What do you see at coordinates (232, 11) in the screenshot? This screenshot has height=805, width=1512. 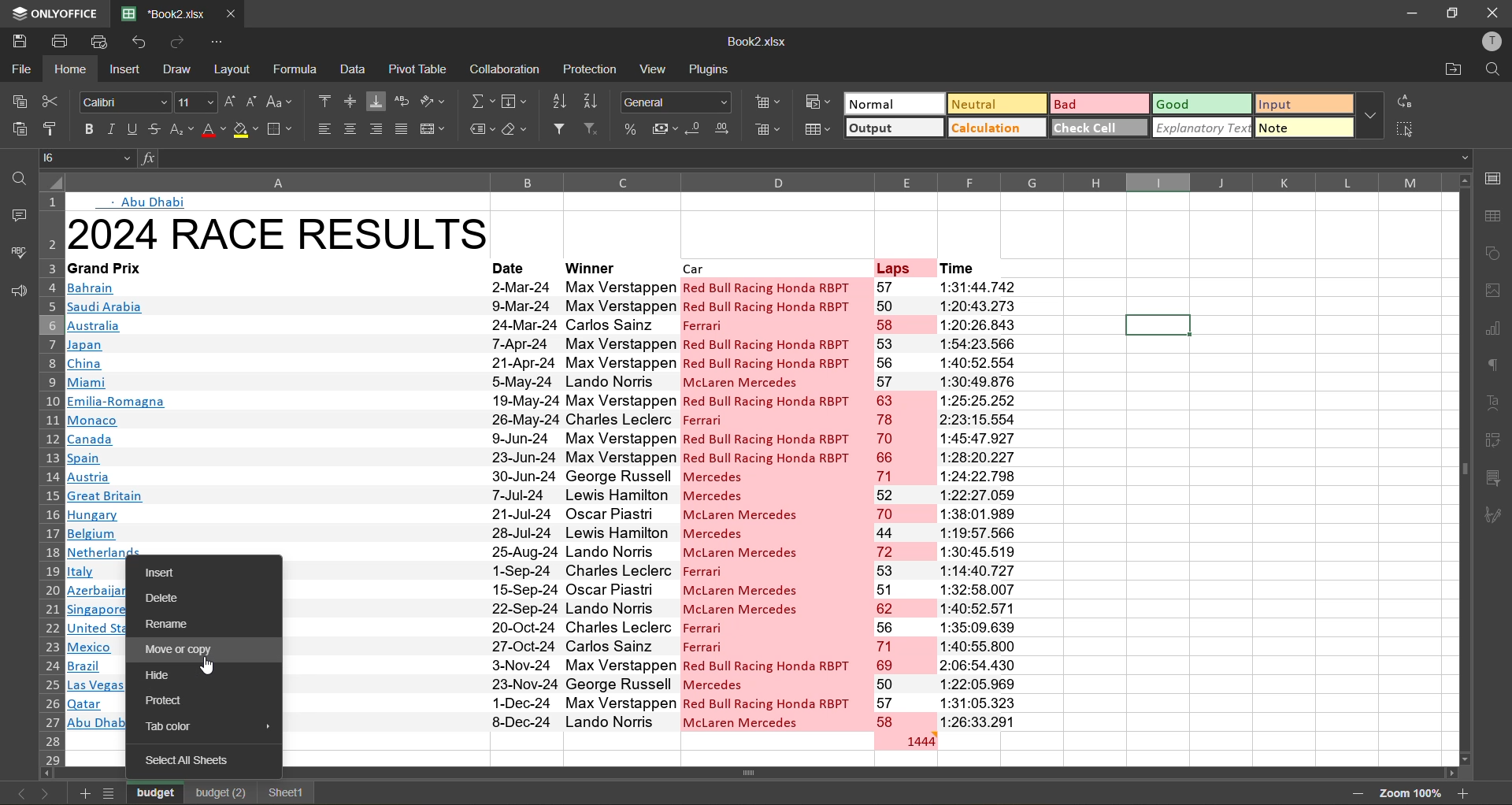 I see `close tab` at bounding box center [232, 11].